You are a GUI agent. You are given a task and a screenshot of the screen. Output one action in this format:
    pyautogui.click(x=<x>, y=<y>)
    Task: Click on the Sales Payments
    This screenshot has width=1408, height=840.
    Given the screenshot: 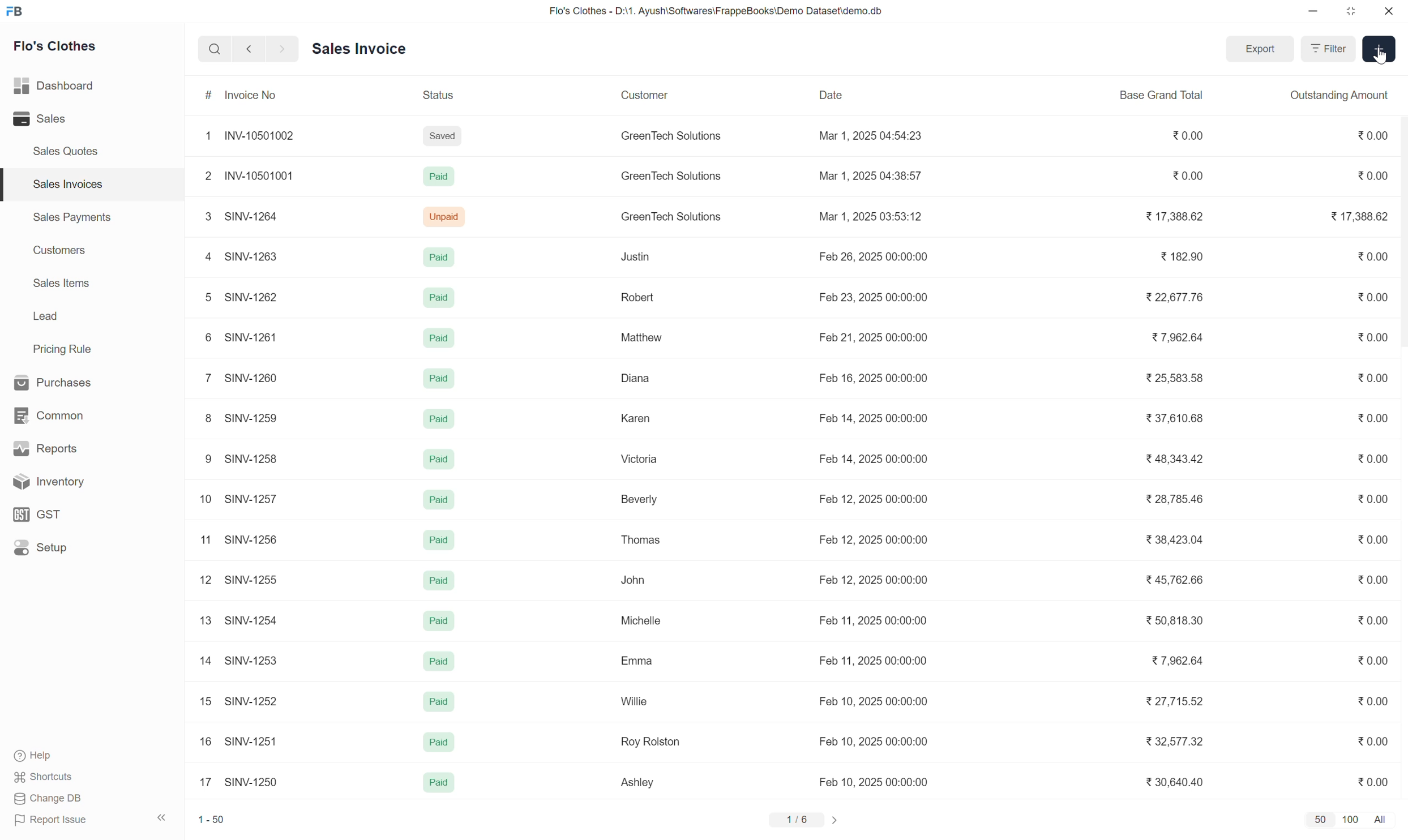 What is the action you would take?
    pyautogui.click(x=71, y=219)
    